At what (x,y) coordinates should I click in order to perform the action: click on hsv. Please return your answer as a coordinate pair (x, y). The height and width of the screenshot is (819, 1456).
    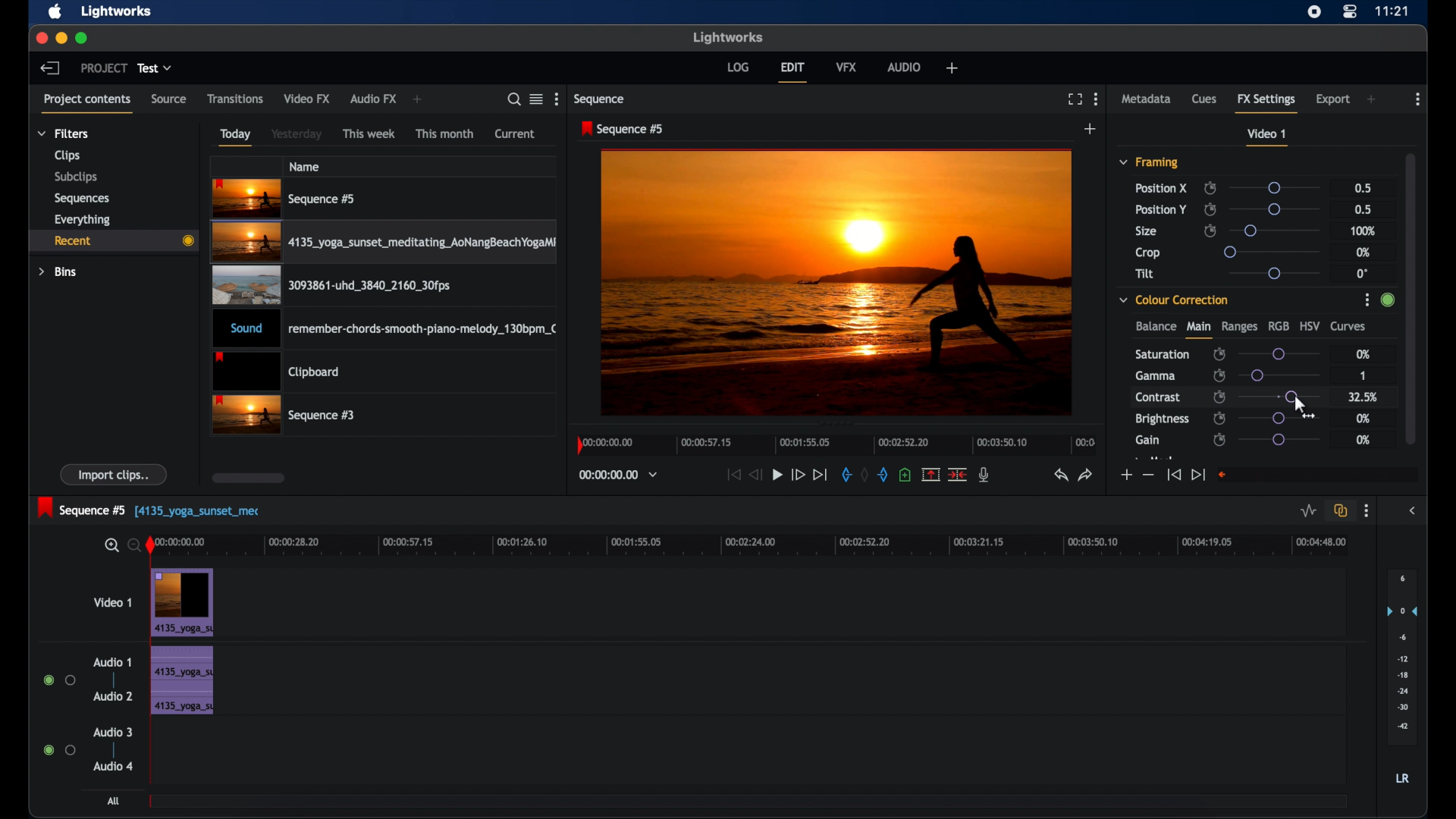
    Looking at the image, I should click on (1310, 325).